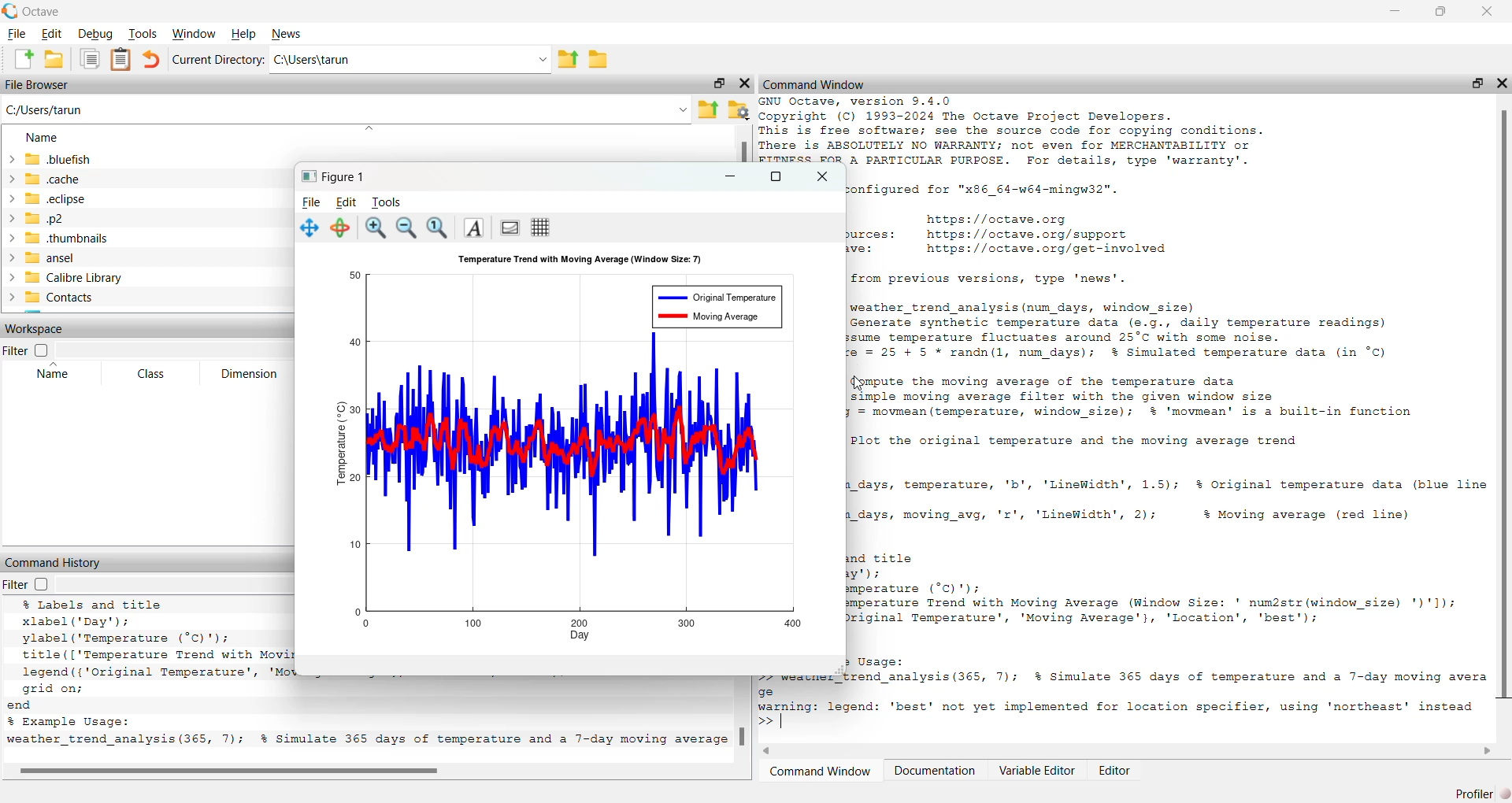 This screenshot has width=1512, height=803. What do you see at coordinates (145, 35) in the screenshot?
I see `Tools` at bounding box center [145, 35].